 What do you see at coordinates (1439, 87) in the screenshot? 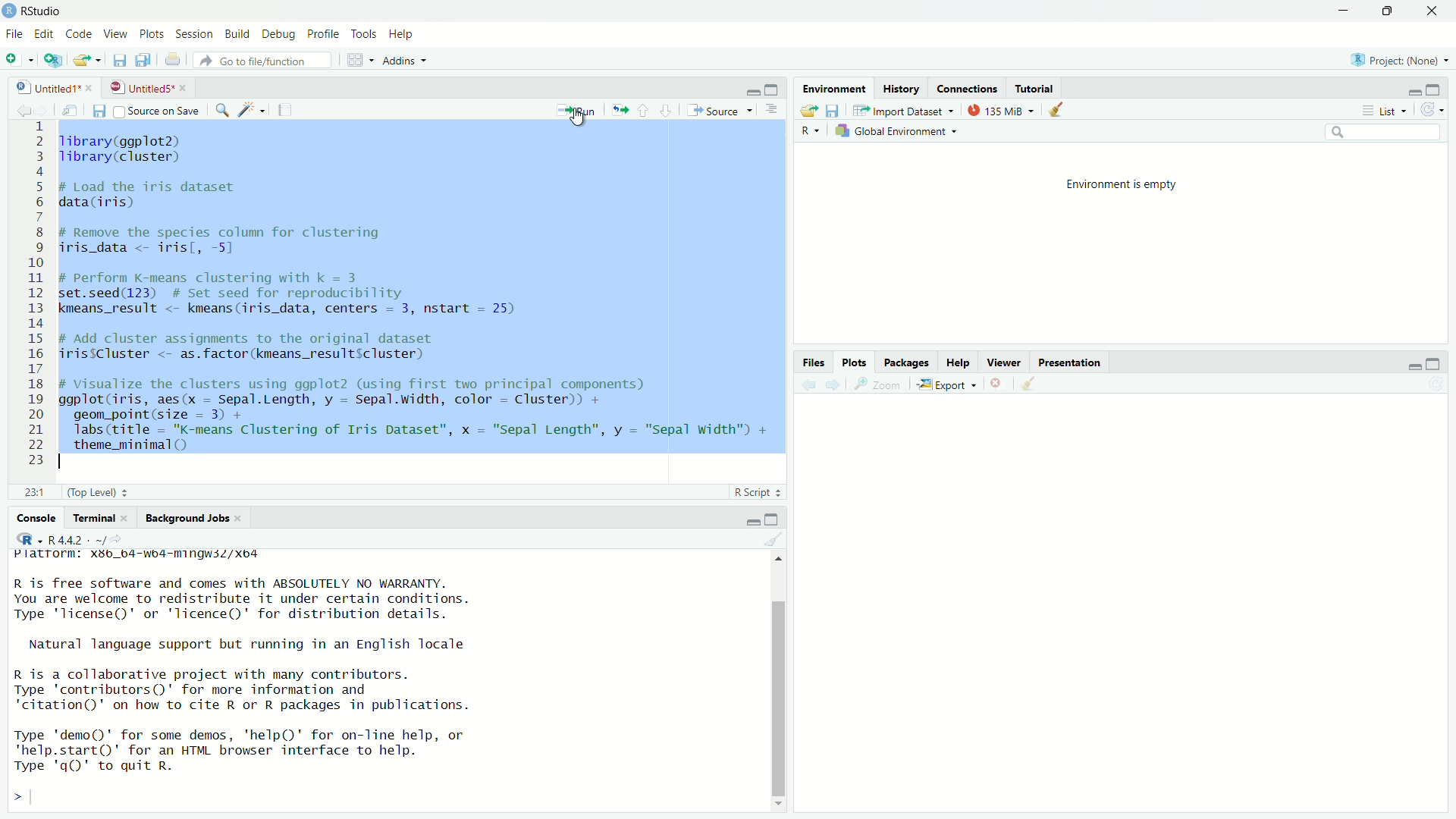
I see `maximize` at bounding box center [1439, 87].